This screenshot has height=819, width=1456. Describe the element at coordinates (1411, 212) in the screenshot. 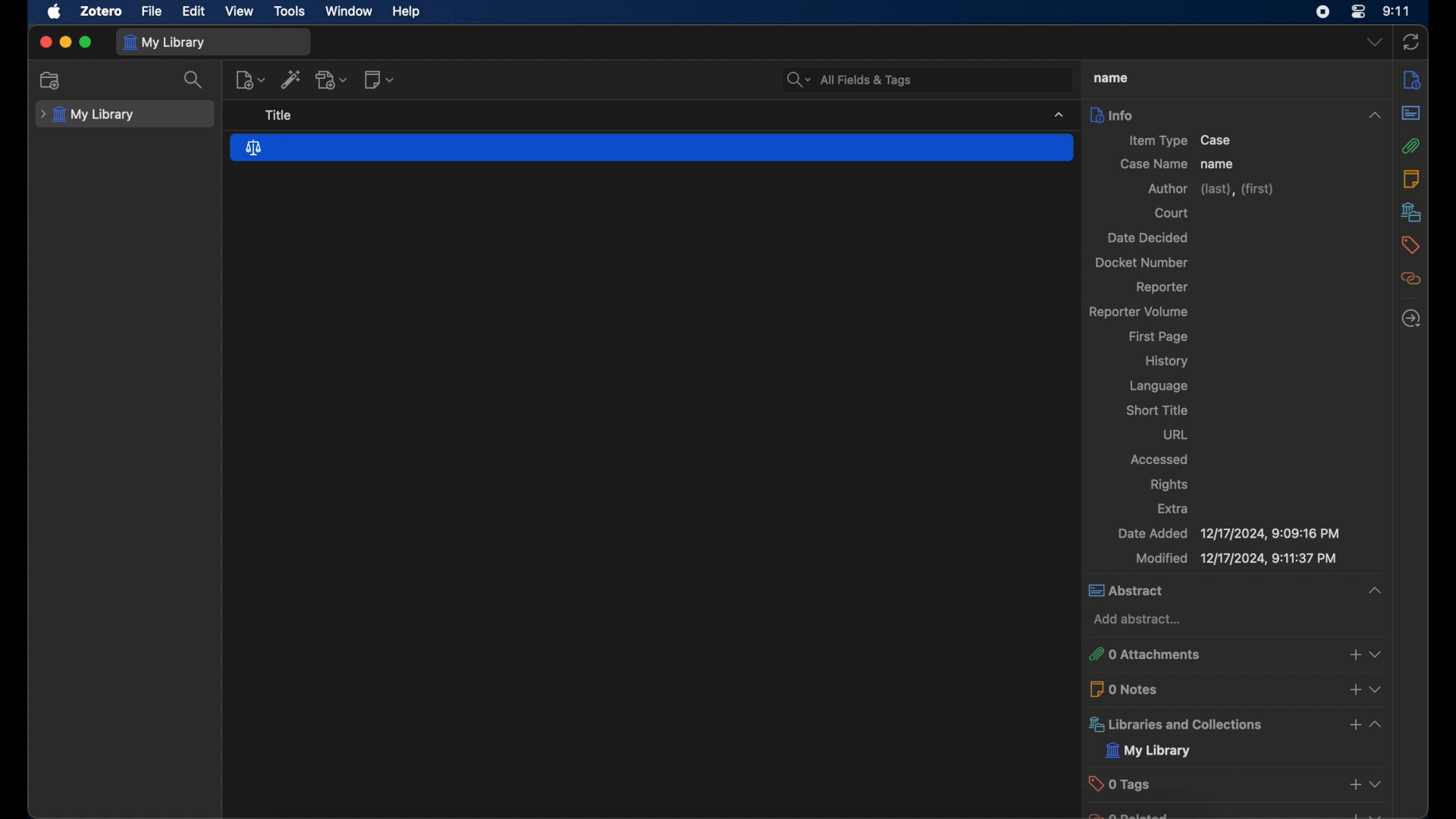

I see `libraries` at that location.